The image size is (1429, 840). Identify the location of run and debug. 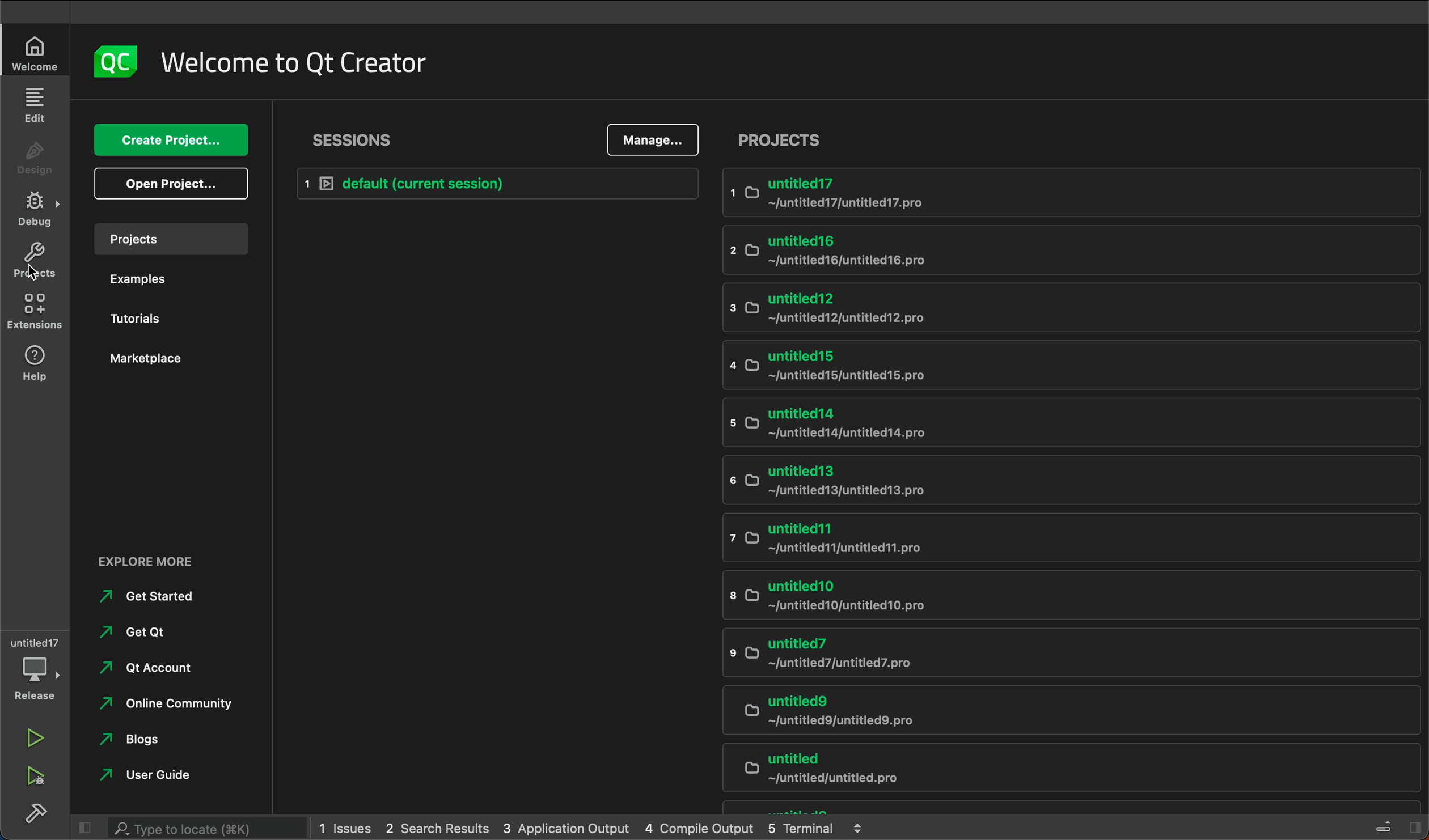
(44, 778).